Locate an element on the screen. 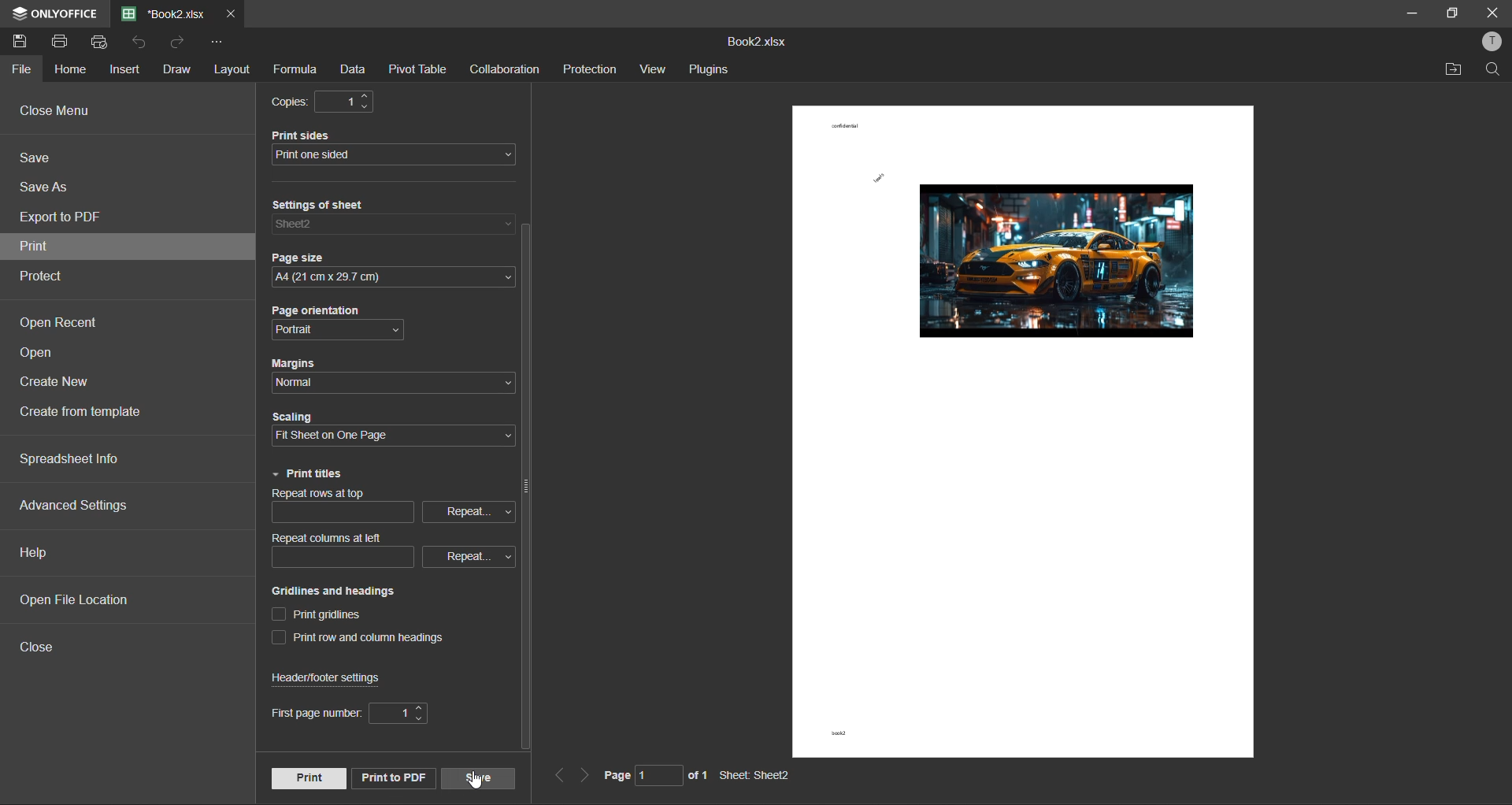 The image size is (1512, 805). Sheet: Sheet2 is located at coordinates (755, 776).